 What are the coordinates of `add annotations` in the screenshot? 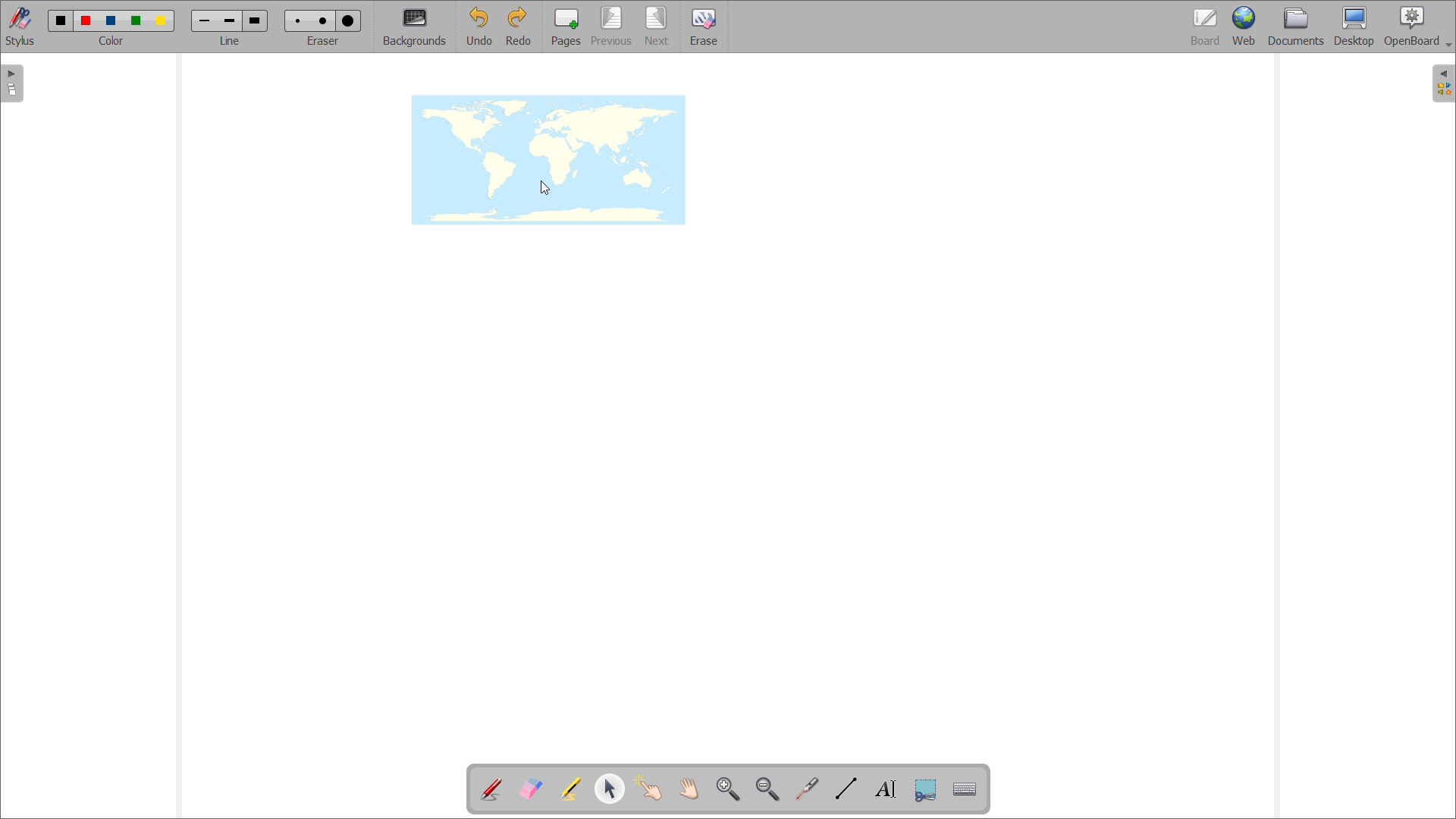 It's located at (492, 789).